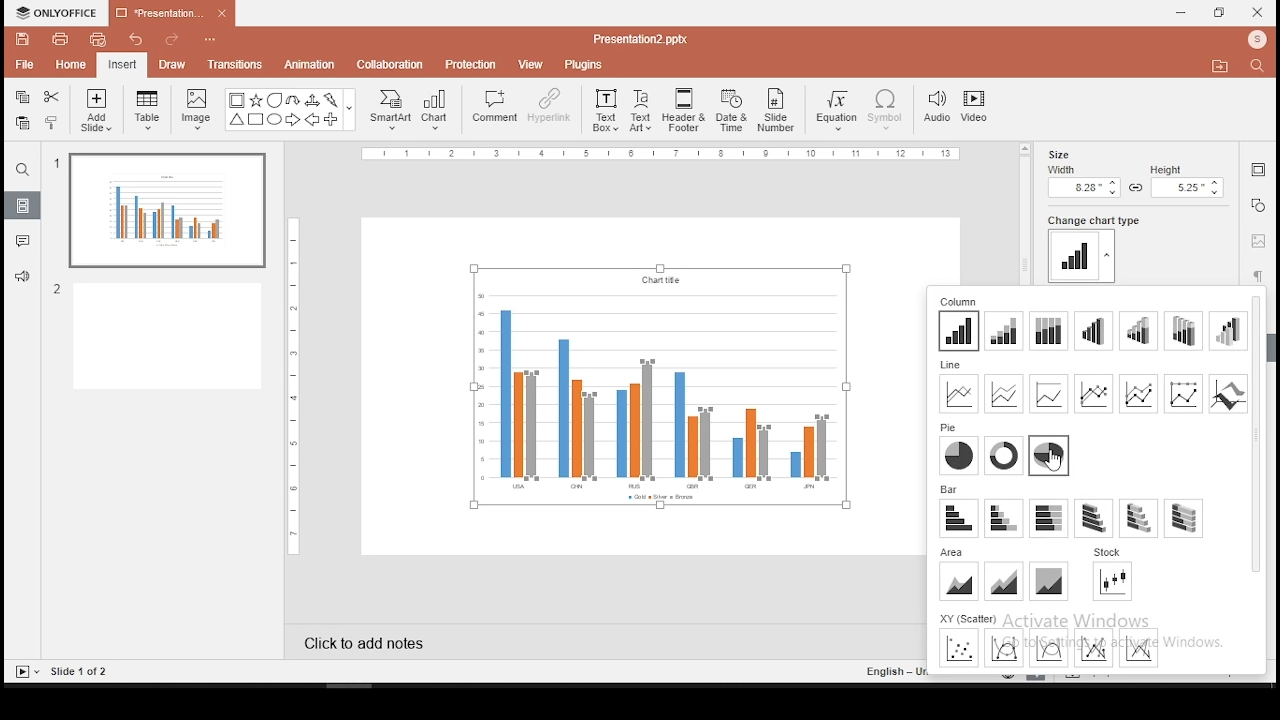  What do you see at coordinates (1140, 647) in the screenshot?
I see `xy scatter 5` at bounding box center [1140, 647].